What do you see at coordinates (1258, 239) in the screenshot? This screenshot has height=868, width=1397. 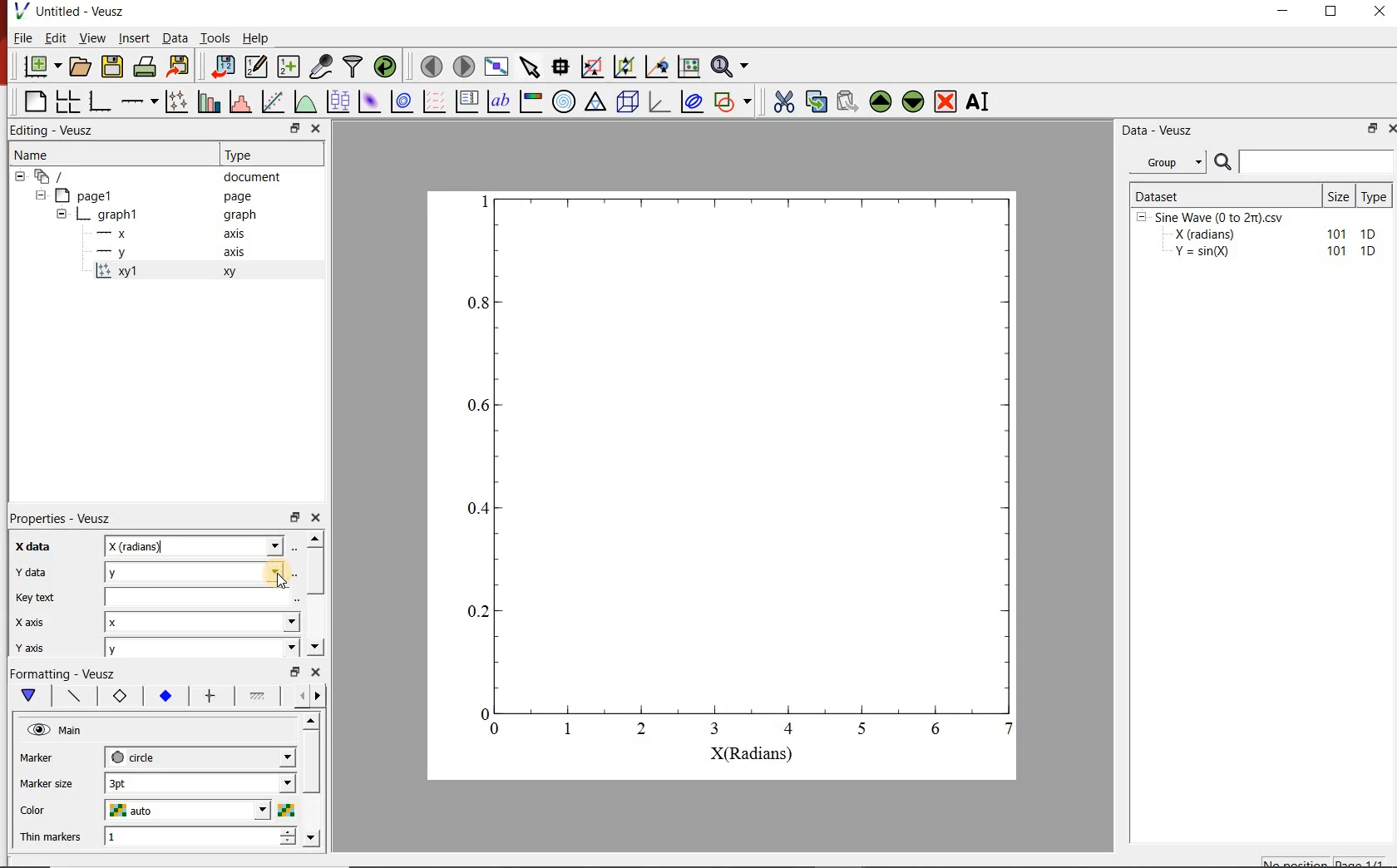 I see `Sine Wave (0 to 2m).csvX (radians) 101 1DY =sin(Q) 101 1D` at bounding box center [1258, 239].